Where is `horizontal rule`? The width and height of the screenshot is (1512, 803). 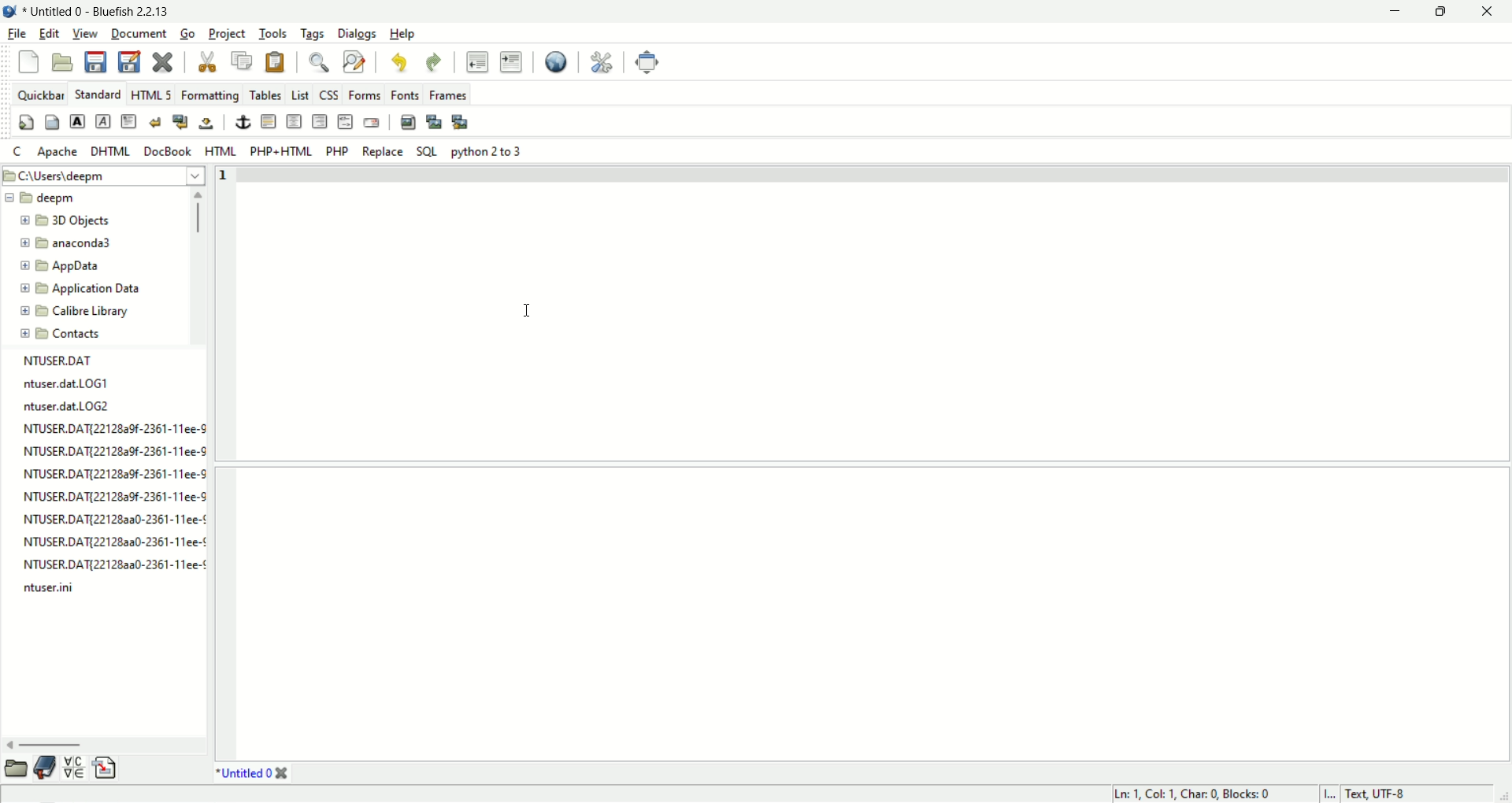 horizontal rule is located at coordinates (270, 123).